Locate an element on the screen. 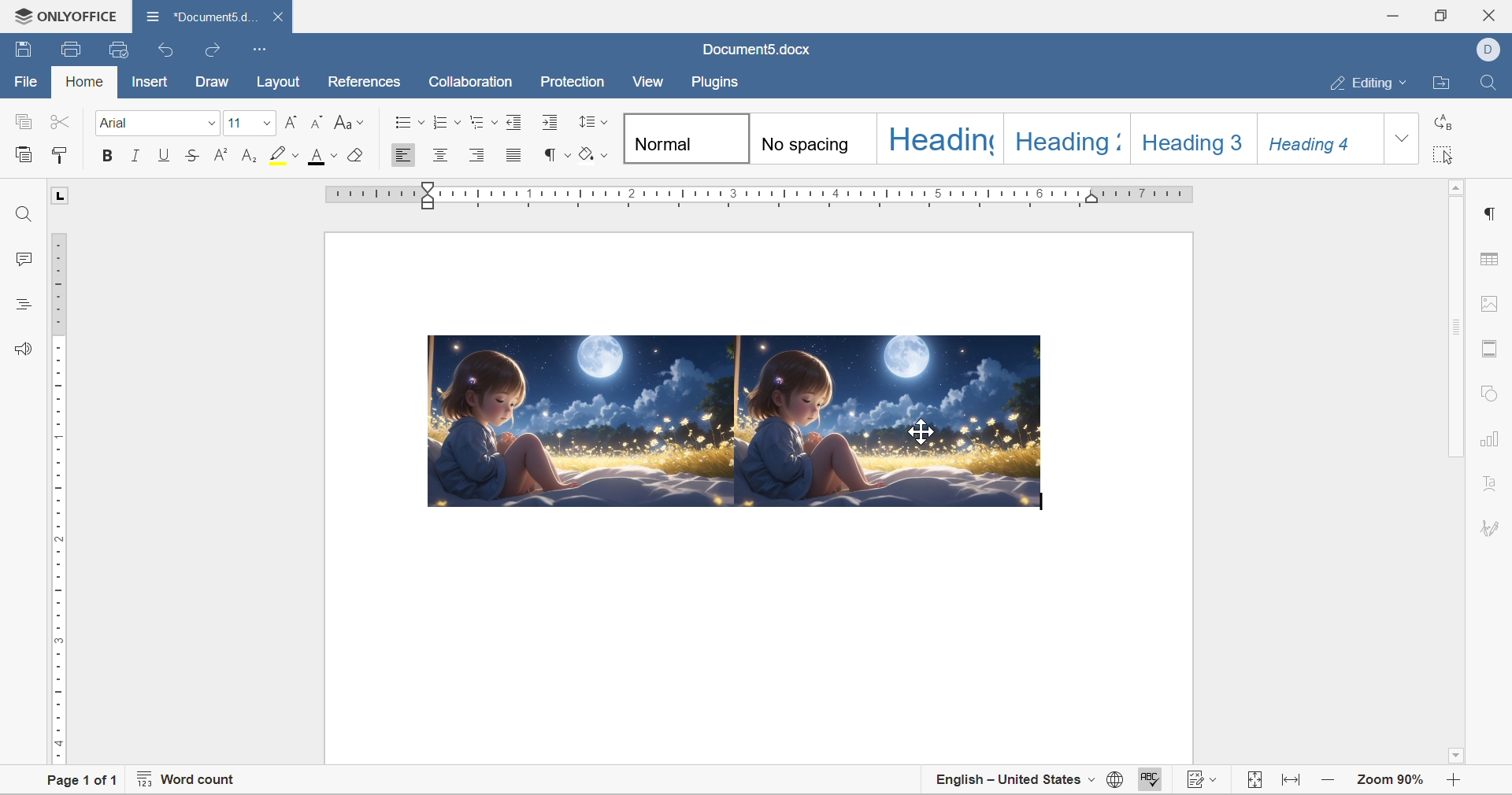 Image resolution: width=1512 pixels, height=795 pixels. paste is located at coordinates (24, 153).